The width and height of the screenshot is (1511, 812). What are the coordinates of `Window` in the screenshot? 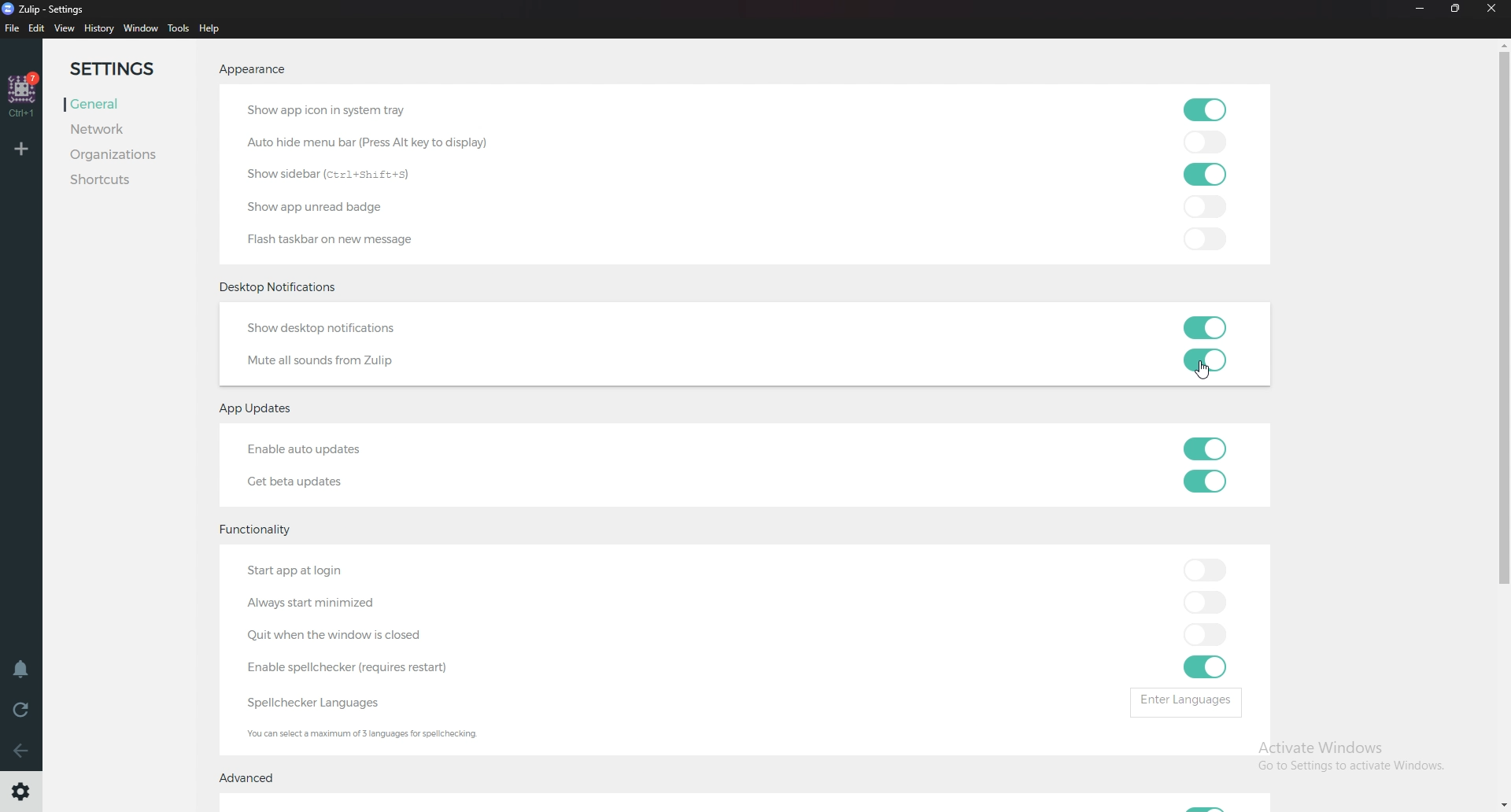 It's located at (143, 28).